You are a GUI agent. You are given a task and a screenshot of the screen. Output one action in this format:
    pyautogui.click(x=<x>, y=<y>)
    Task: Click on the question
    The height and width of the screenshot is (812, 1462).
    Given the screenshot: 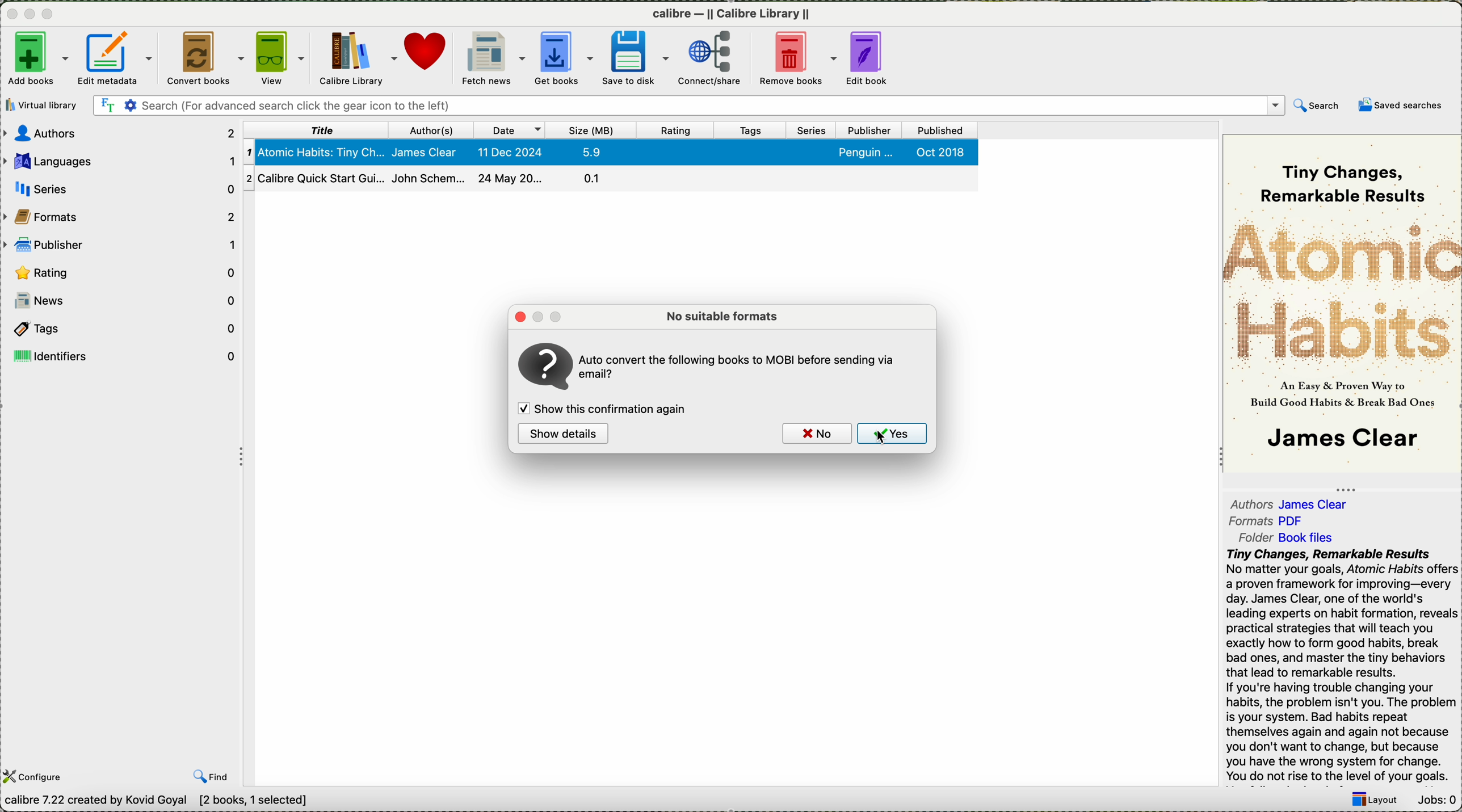 What is the action you would take?
    pyautogui.click(x=741, y=363)
    